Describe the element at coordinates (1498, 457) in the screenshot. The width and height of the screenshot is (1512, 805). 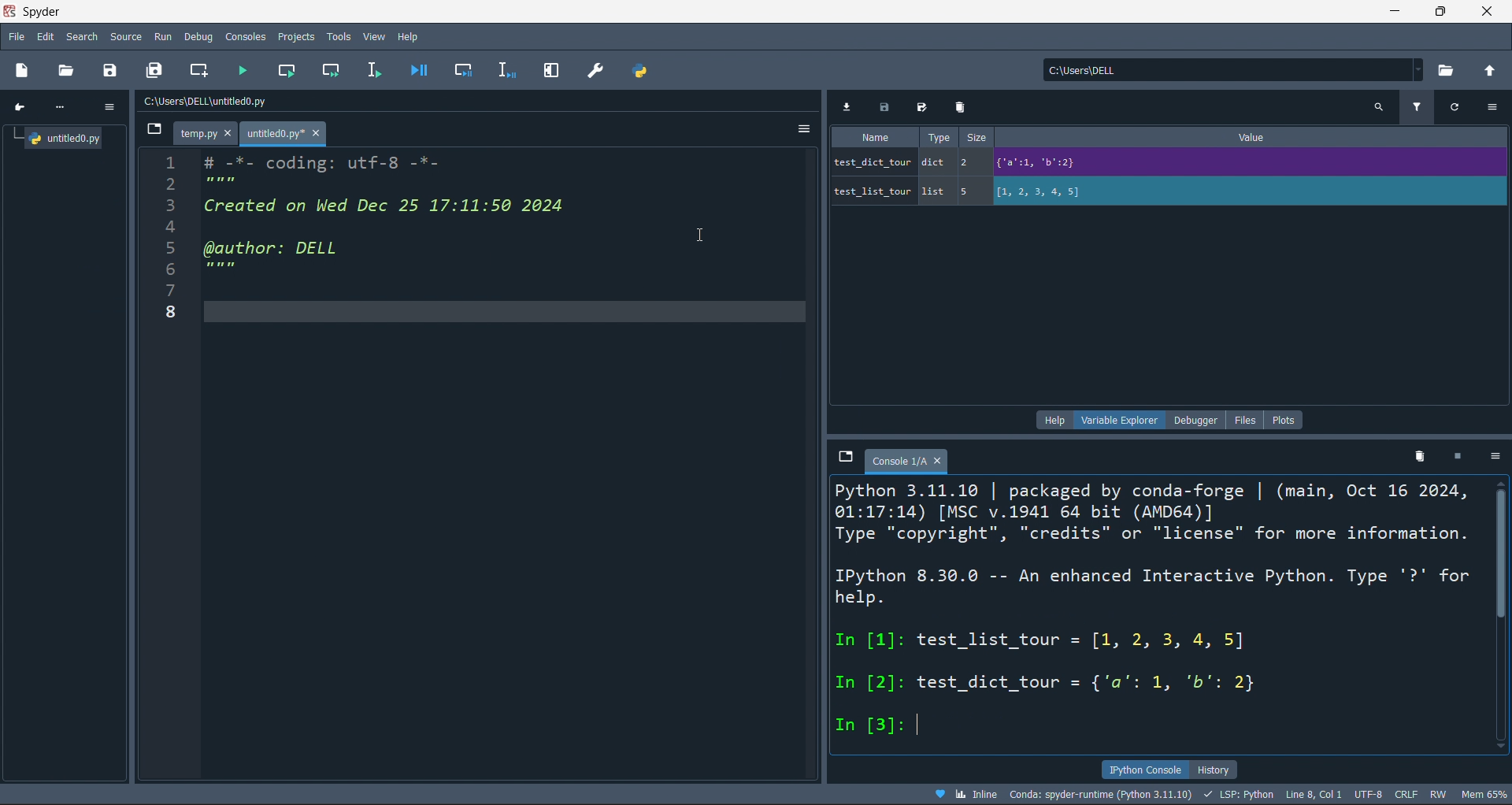
I see `more options` at that location.